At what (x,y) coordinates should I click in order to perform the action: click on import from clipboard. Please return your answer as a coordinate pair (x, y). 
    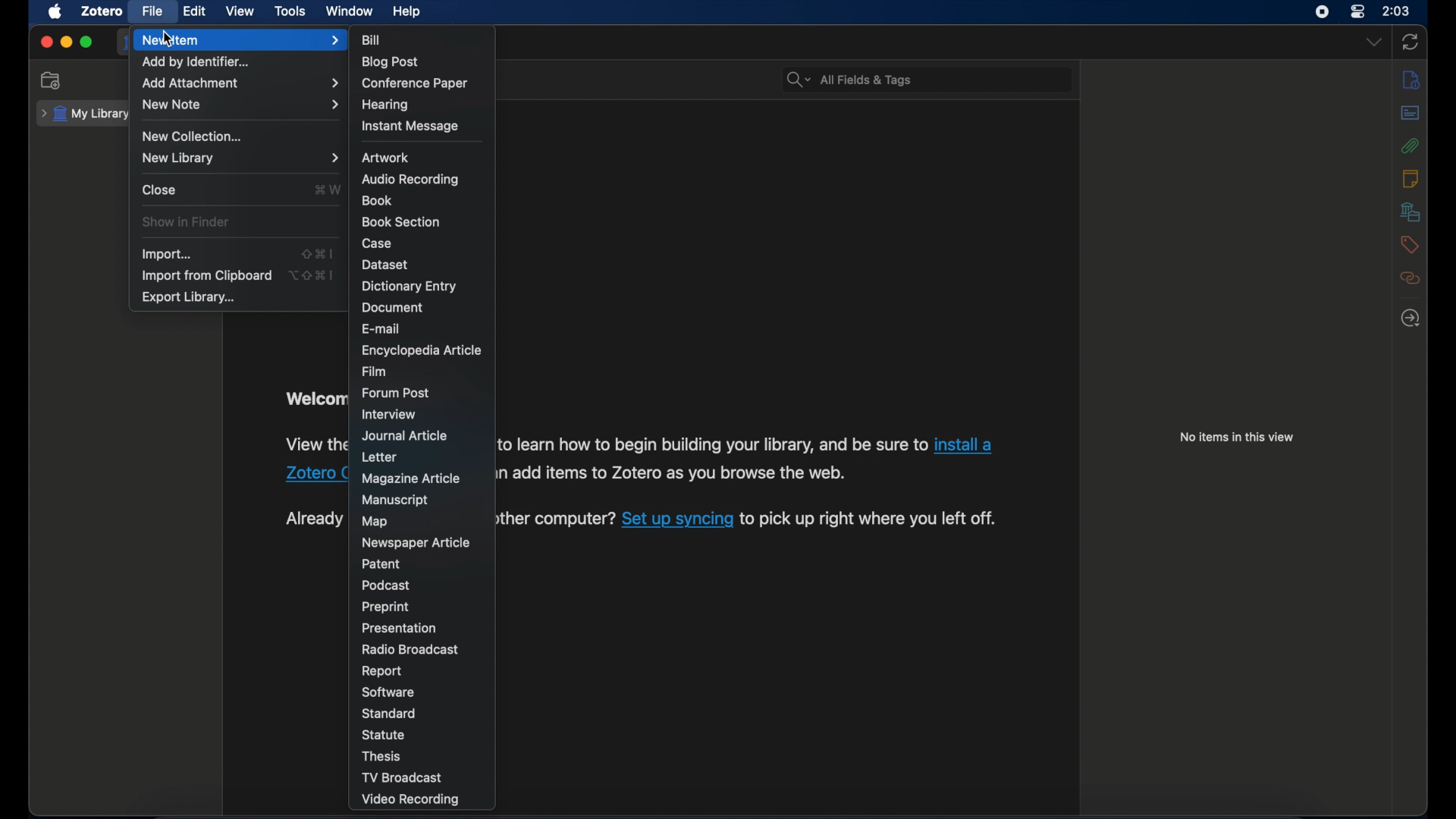
    Looking at the image, I should click on (206, 276).